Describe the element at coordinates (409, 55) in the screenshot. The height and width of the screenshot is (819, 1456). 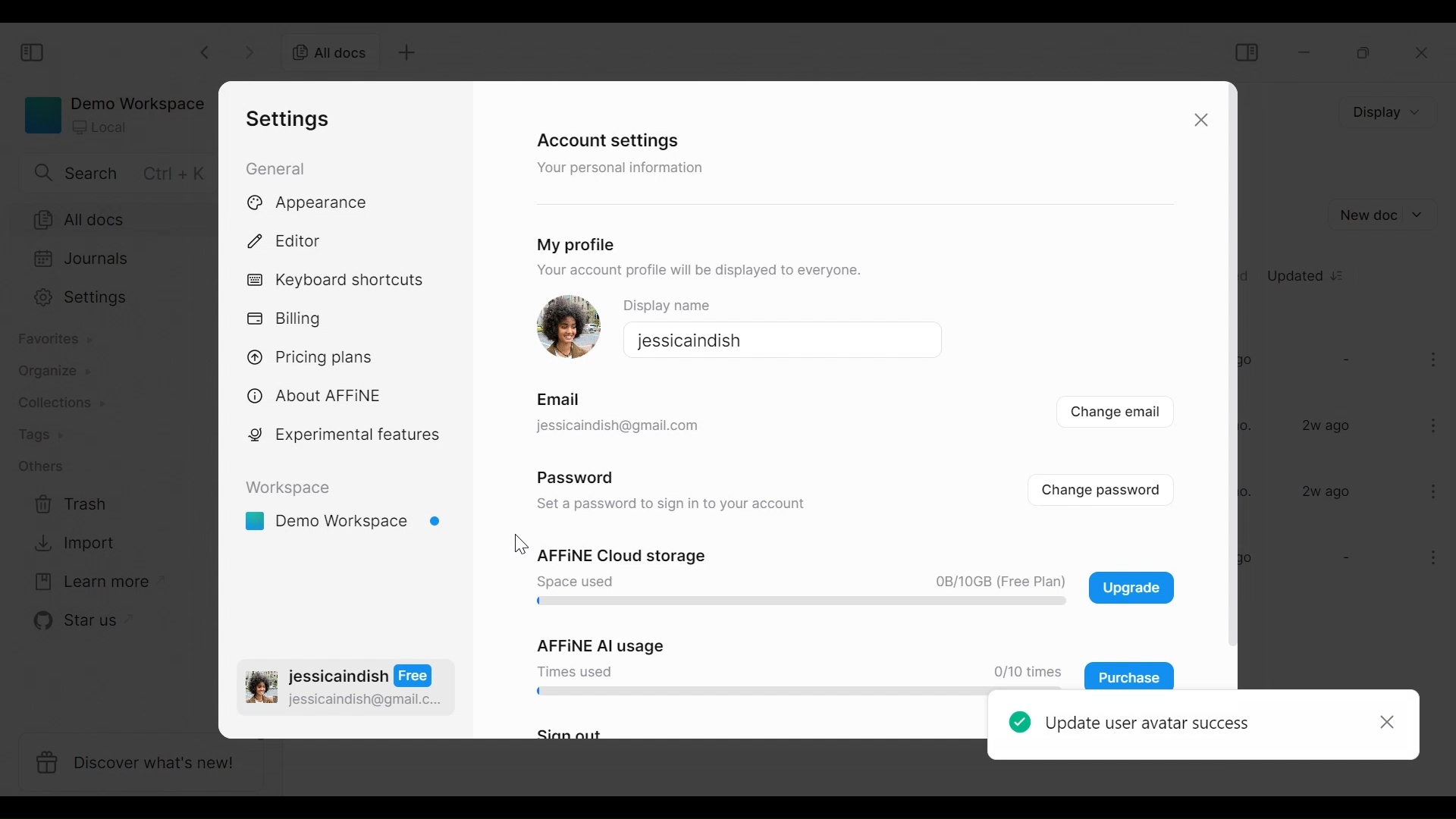
I see `Add` at that location.